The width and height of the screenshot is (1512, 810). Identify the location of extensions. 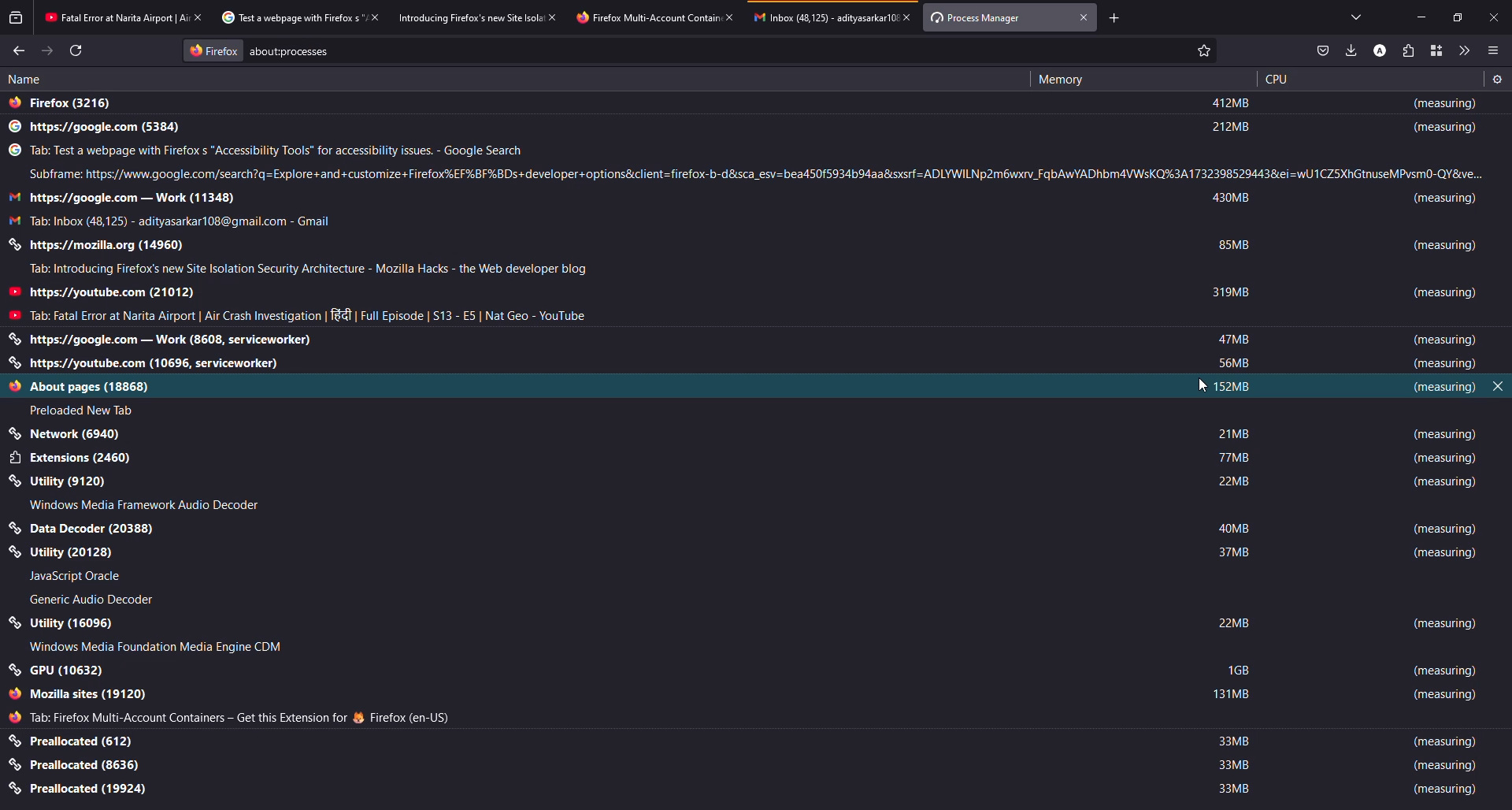
(1410, 51).